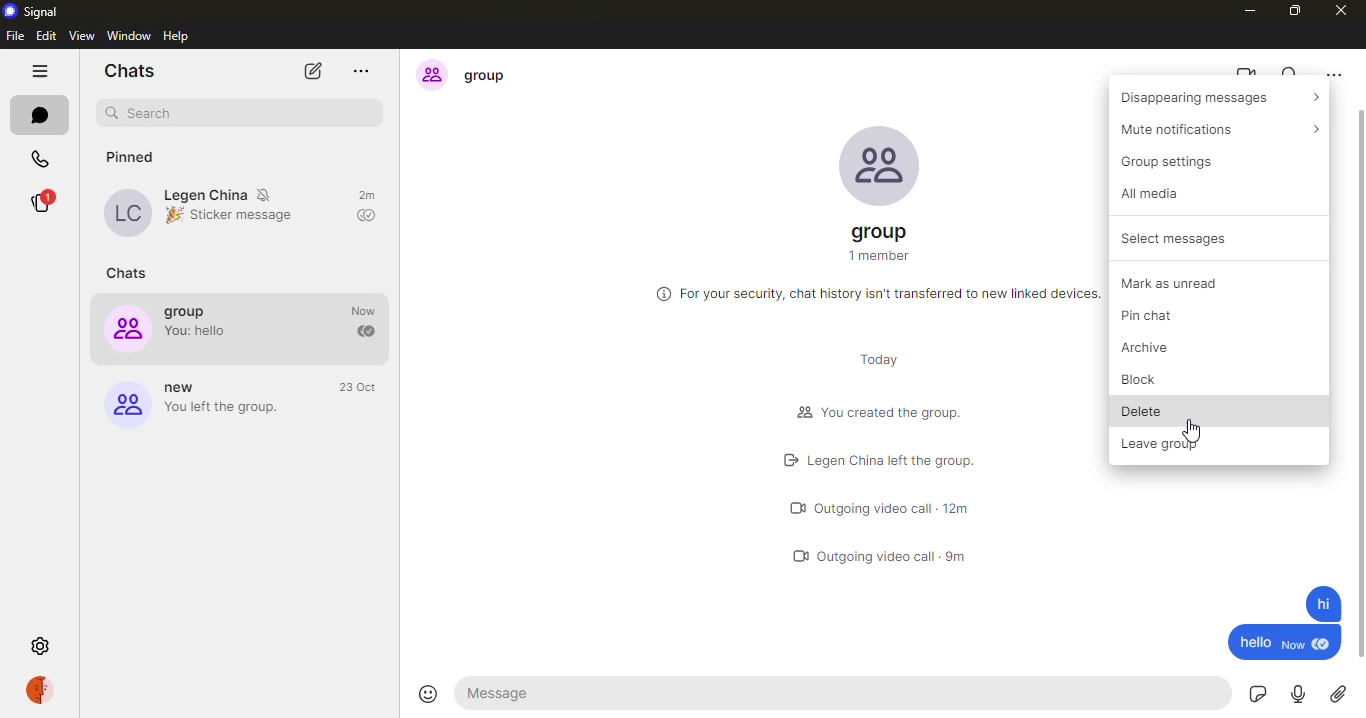 This screenshot has height=718, width=1366. I want to click on view, so click(83, 35).